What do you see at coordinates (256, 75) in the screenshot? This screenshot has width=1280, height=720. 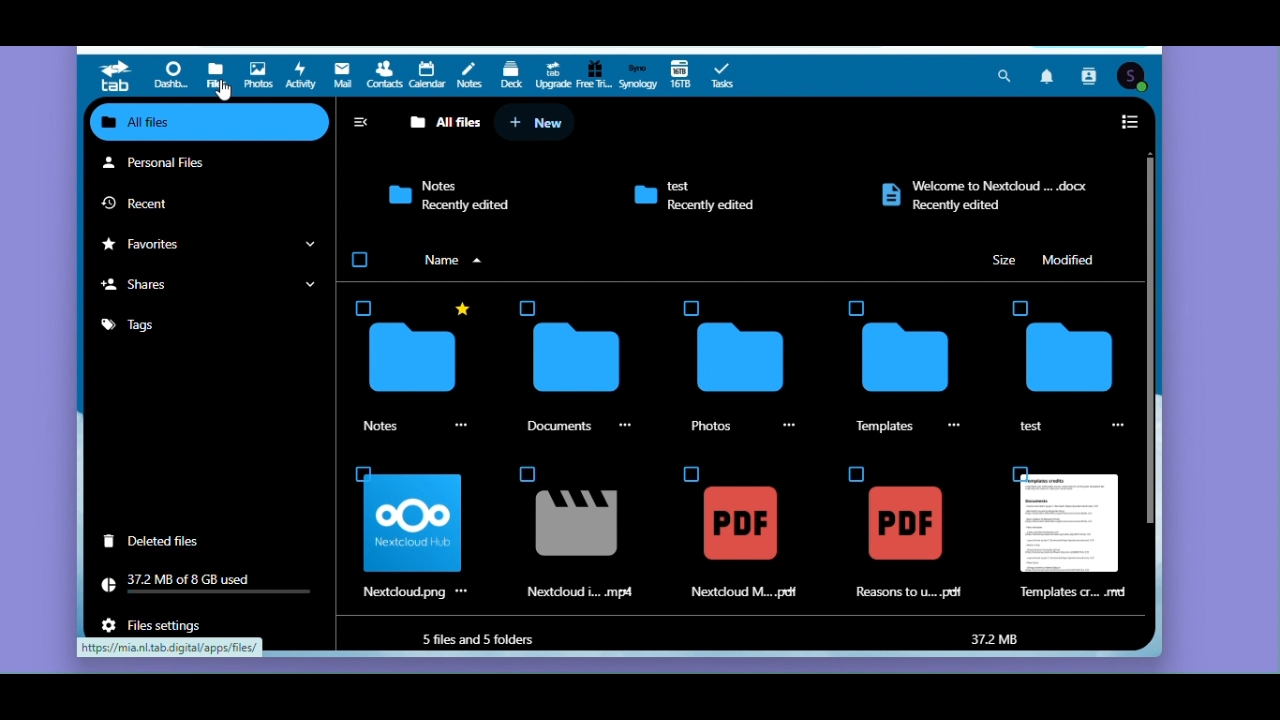 I see `Photos` at bounding box center [256, 75].